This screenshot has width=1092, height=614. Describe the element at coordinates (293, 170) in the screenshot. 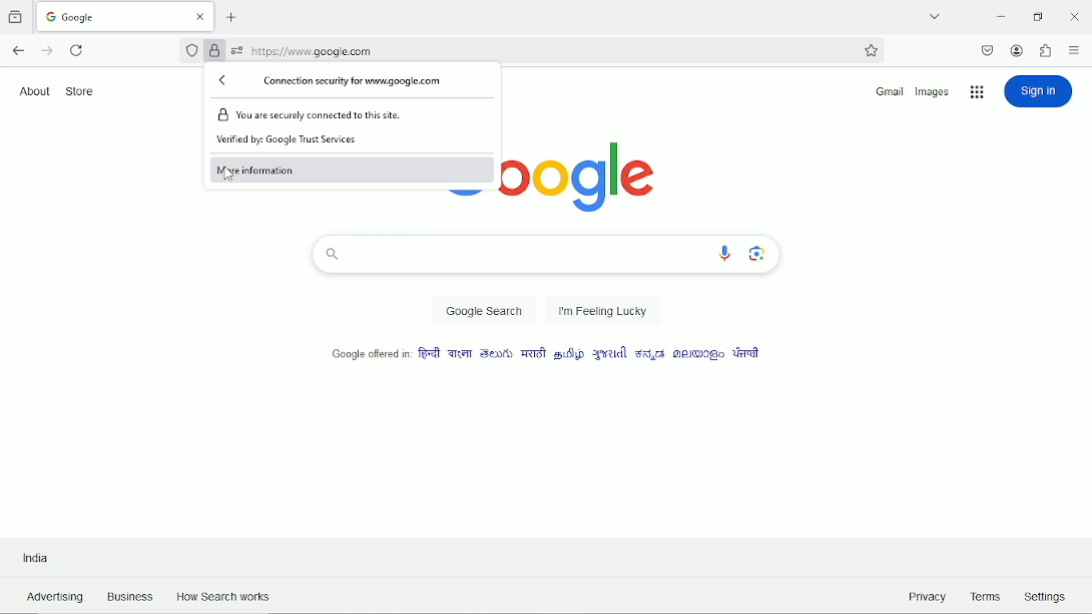

I see `More information` at that location.